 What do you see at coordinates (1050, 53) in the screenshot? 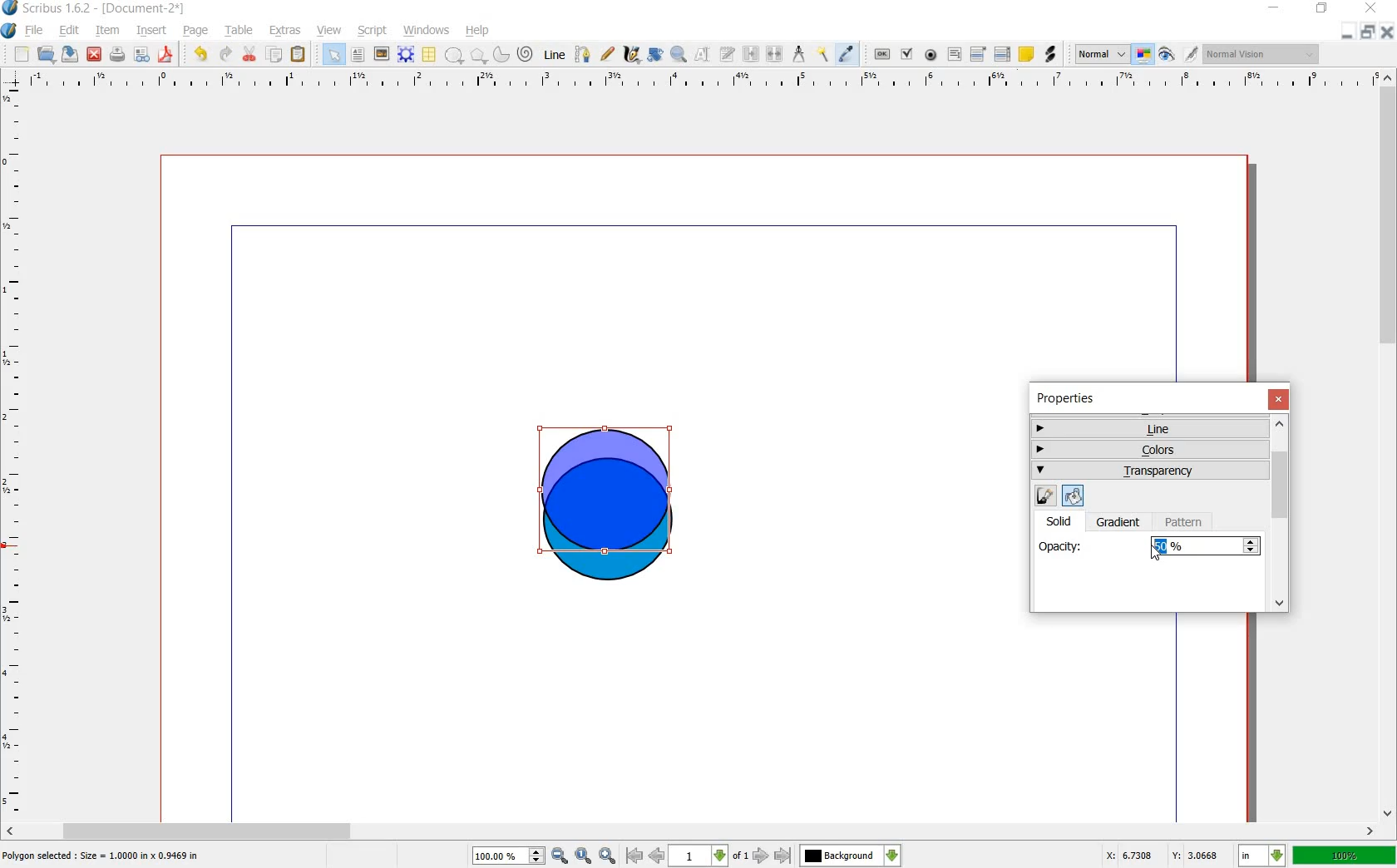
I see `link annotation` at bounding box center [1050, 53].